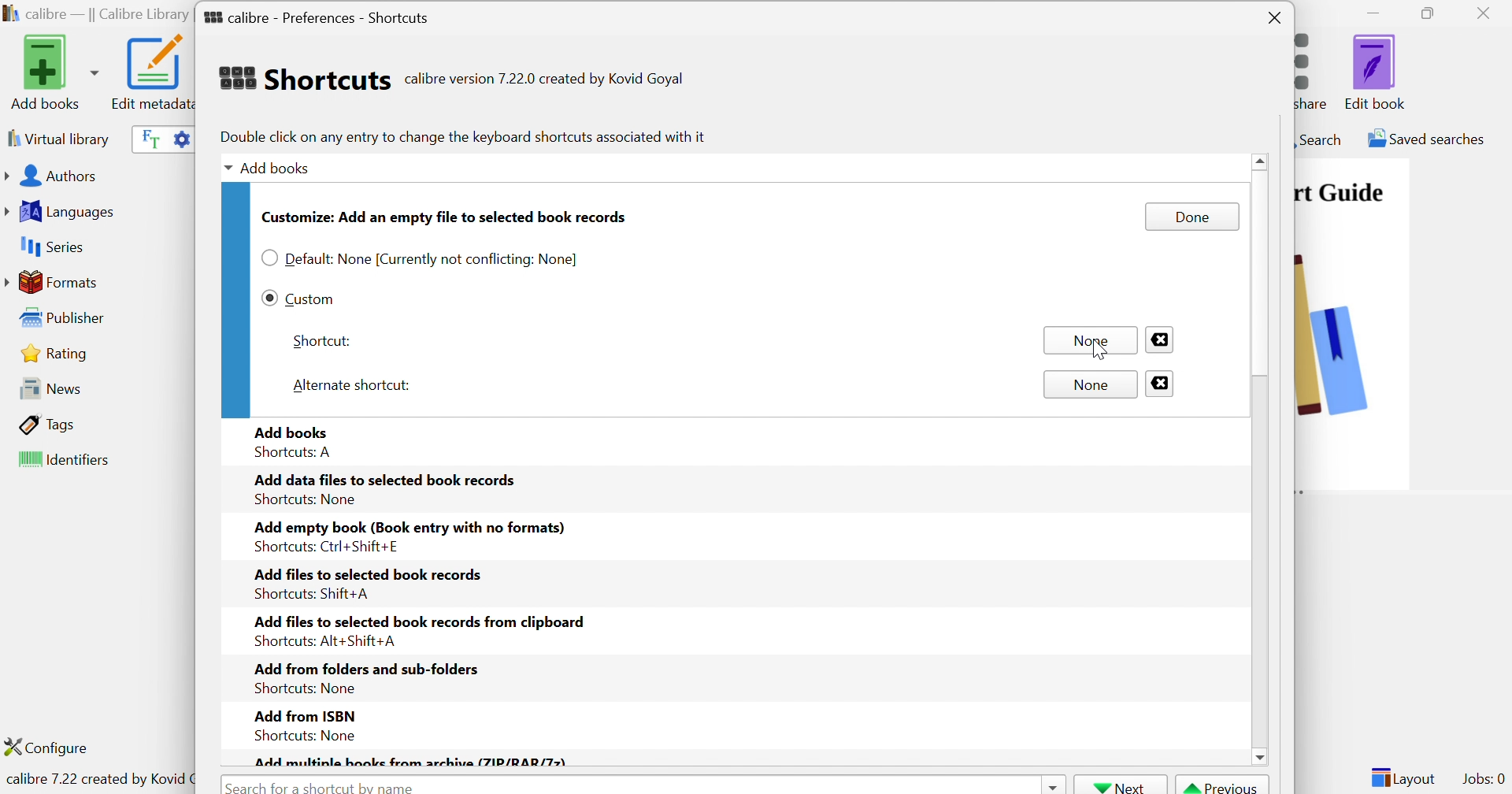 The width and height of the screenshot is (1512, 794). I want to click on calibre 7.22 created by Kovid, so click(97, 781).